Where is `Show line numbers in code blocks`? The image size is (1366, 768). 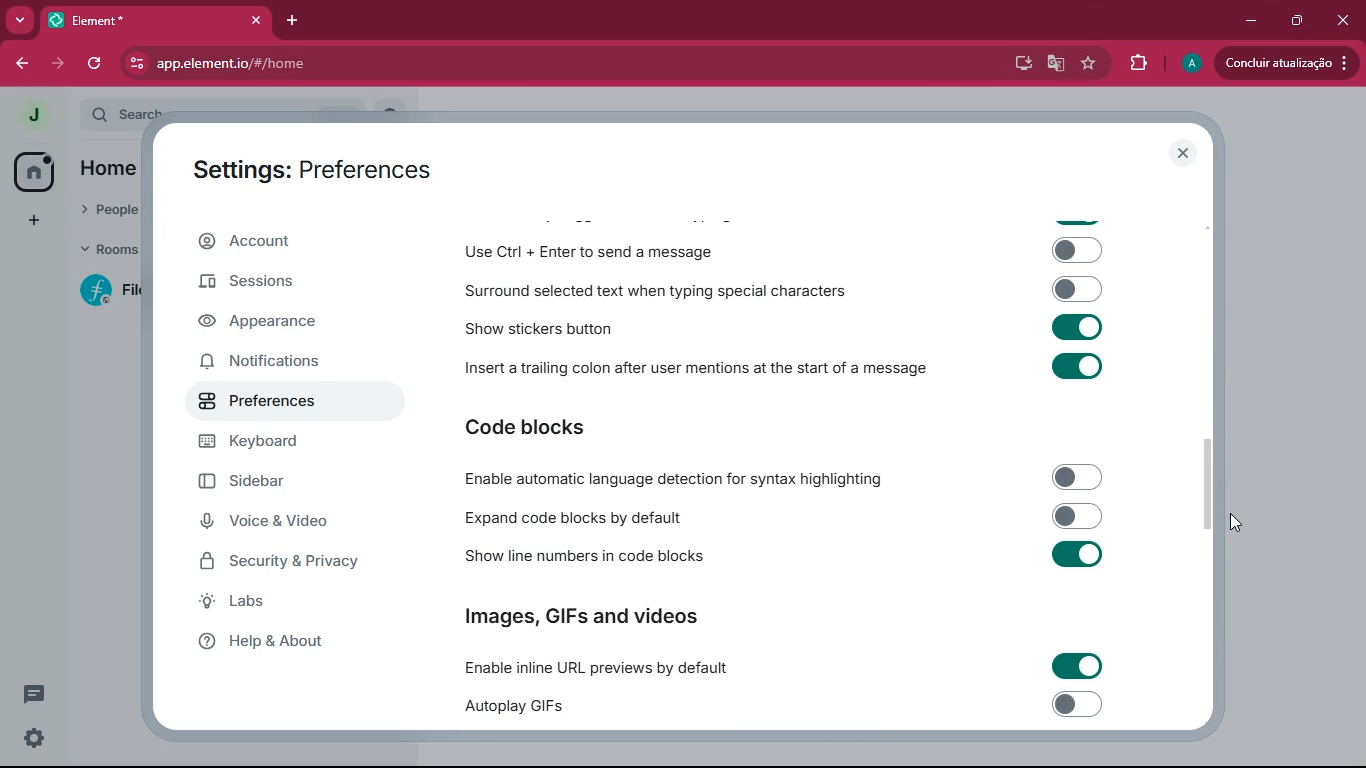
Show line numbers in code blocks is located at coordinates (781, 558).